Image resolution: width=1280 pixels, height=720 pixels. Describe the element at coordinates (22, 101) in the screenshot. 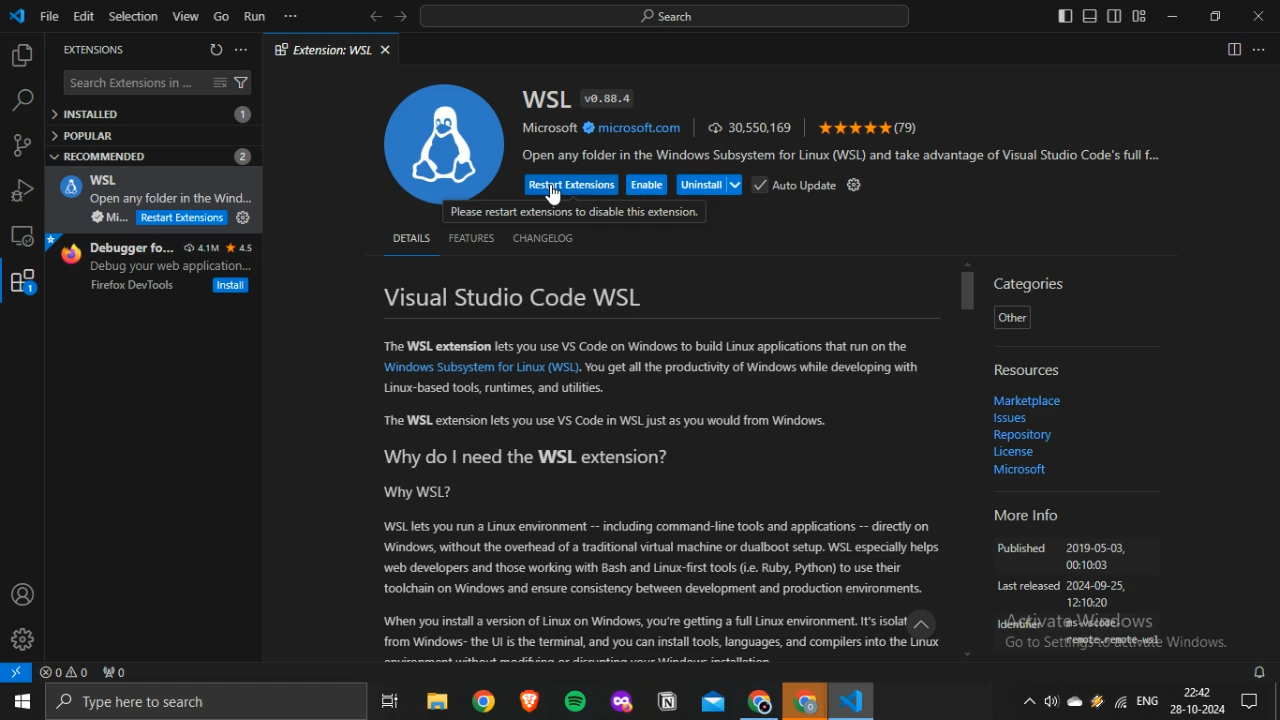

I see `search` at that location.